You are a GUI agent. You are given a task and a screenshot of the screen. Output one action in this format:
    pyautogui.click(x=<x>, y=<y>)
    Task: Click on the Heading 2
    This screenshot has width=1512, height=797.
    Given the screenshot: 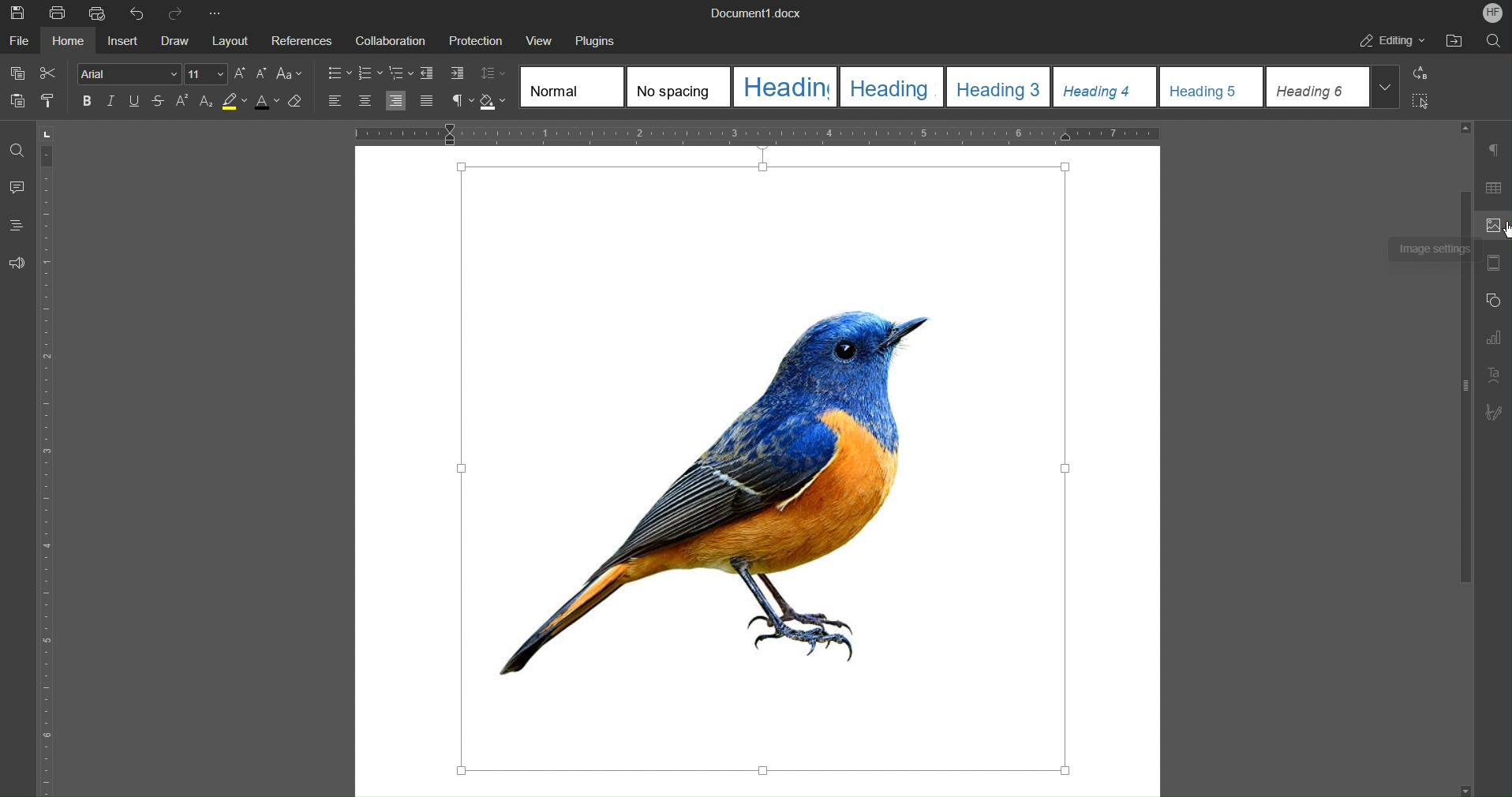 What is the action you would take?
    pyautogui.click(x=891, y=86)
    